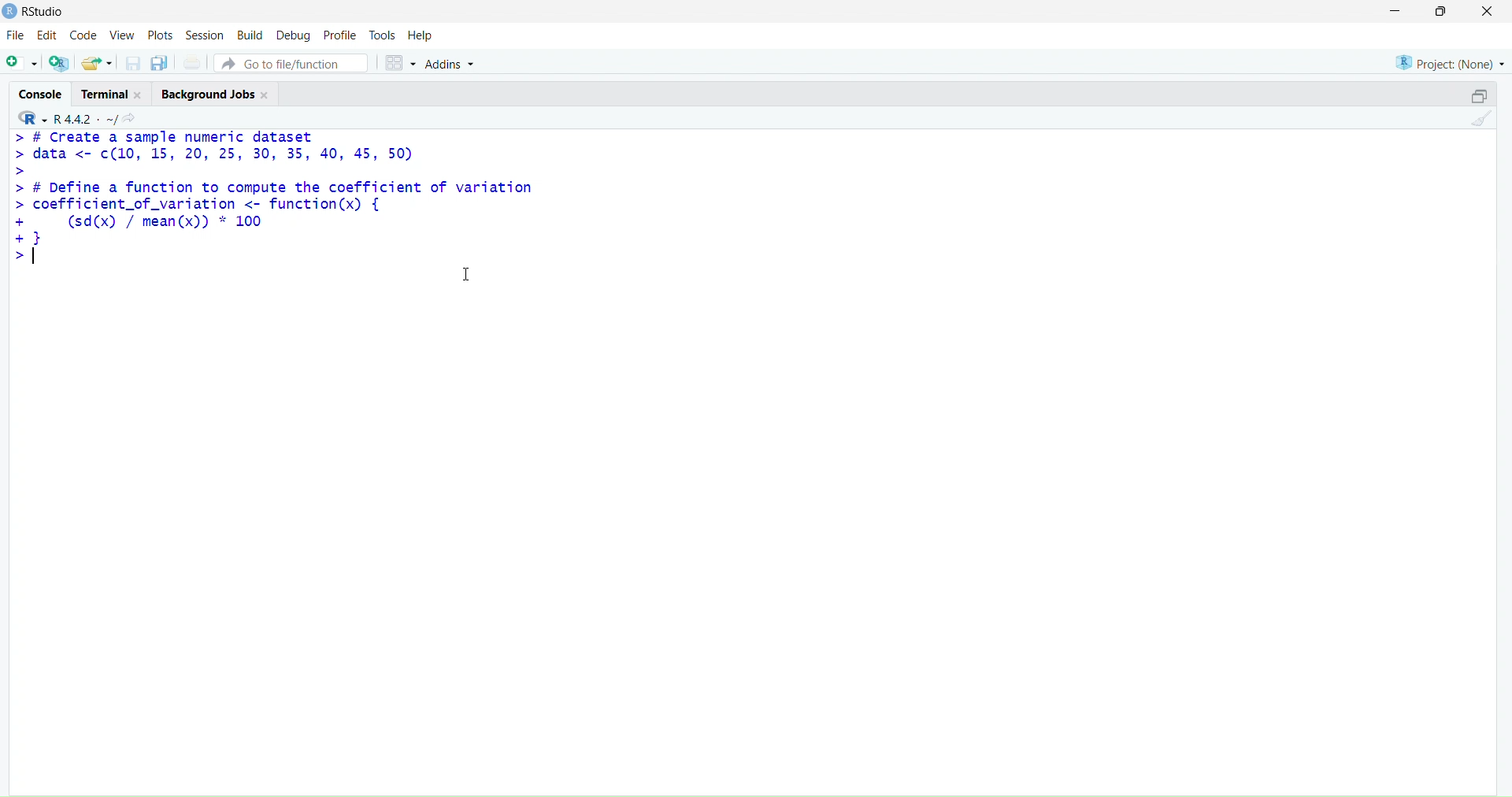 The height and width of the screenshot is (797, 1512). Describe the element at coordinates (1441, 10) in the screenshot. I see `maximise` at that location.